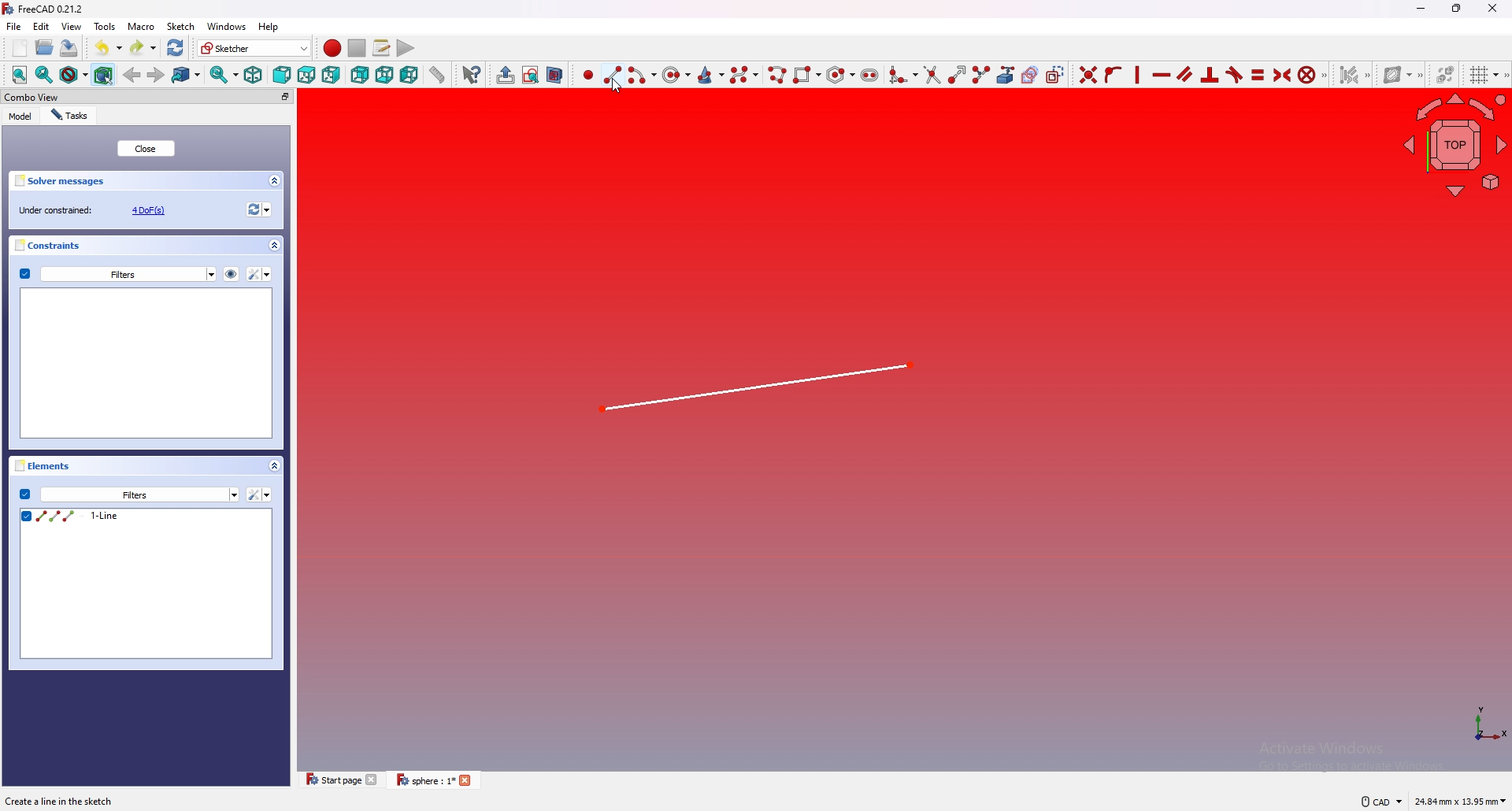 This screenshot has width=1512, height=811. Describe the element at coordinates (72, 26) in the screenshot. I see `View` at that location.